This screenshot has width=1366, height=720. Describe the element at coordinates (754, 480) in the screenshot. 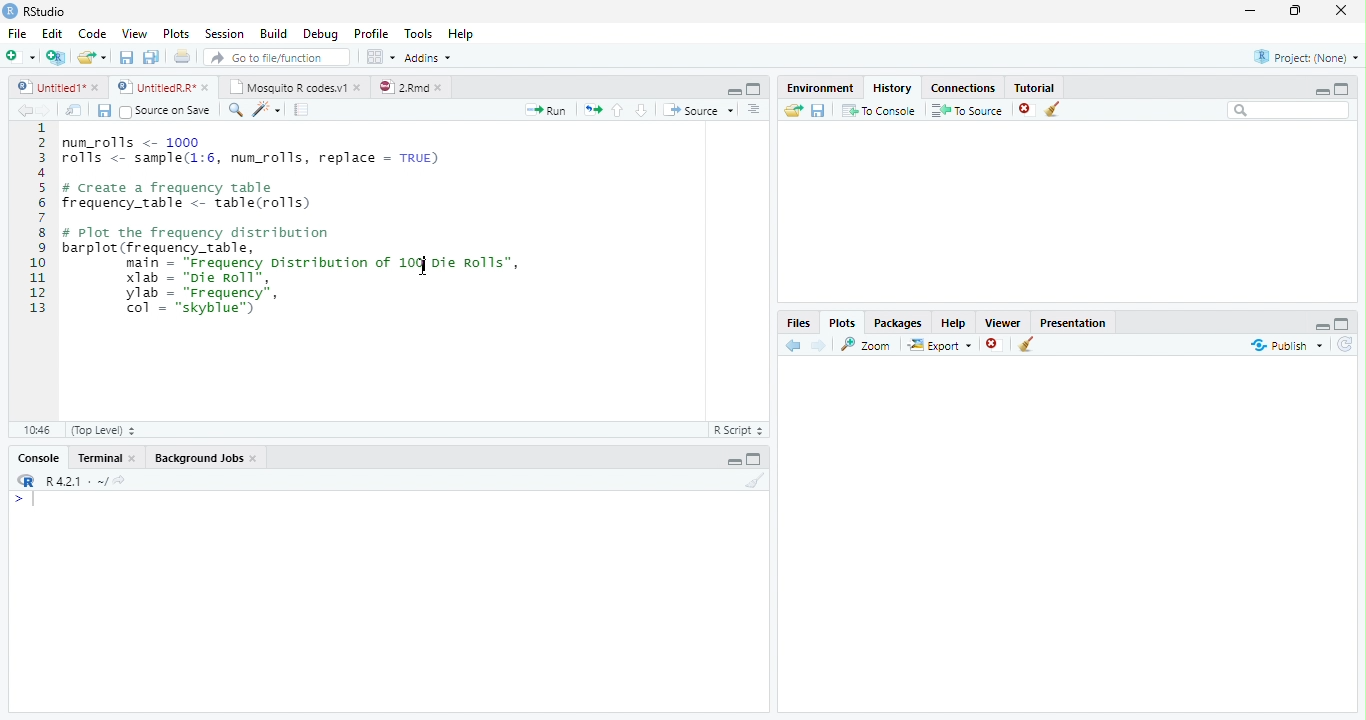

I see `Clear` at that location.